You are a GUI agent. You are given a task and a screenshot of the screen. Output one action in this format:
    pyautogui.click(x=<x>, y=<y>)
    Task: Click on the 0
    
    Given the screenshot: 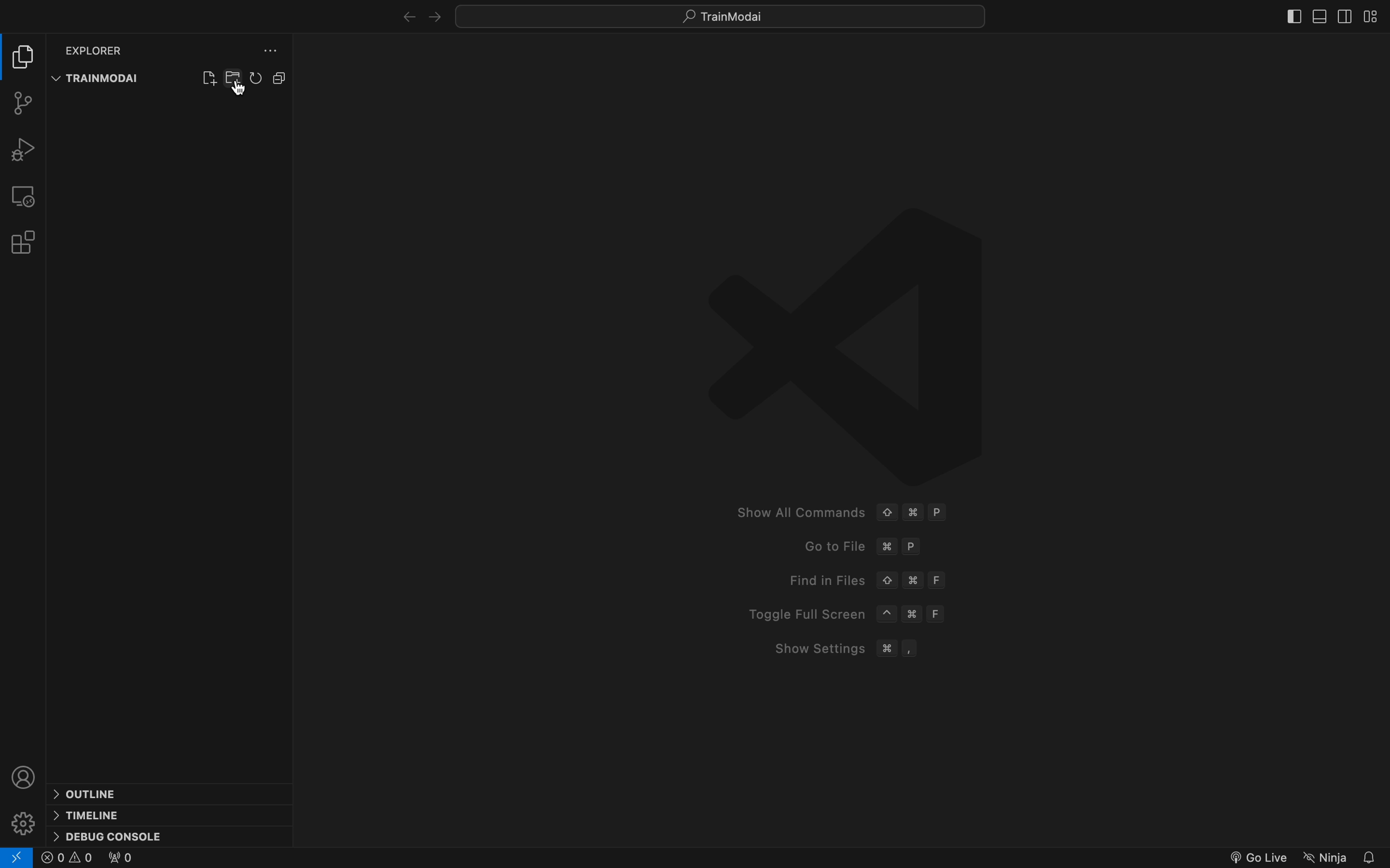 What is the action you would take?
    pyautogui.click(x=67, y=858)
    